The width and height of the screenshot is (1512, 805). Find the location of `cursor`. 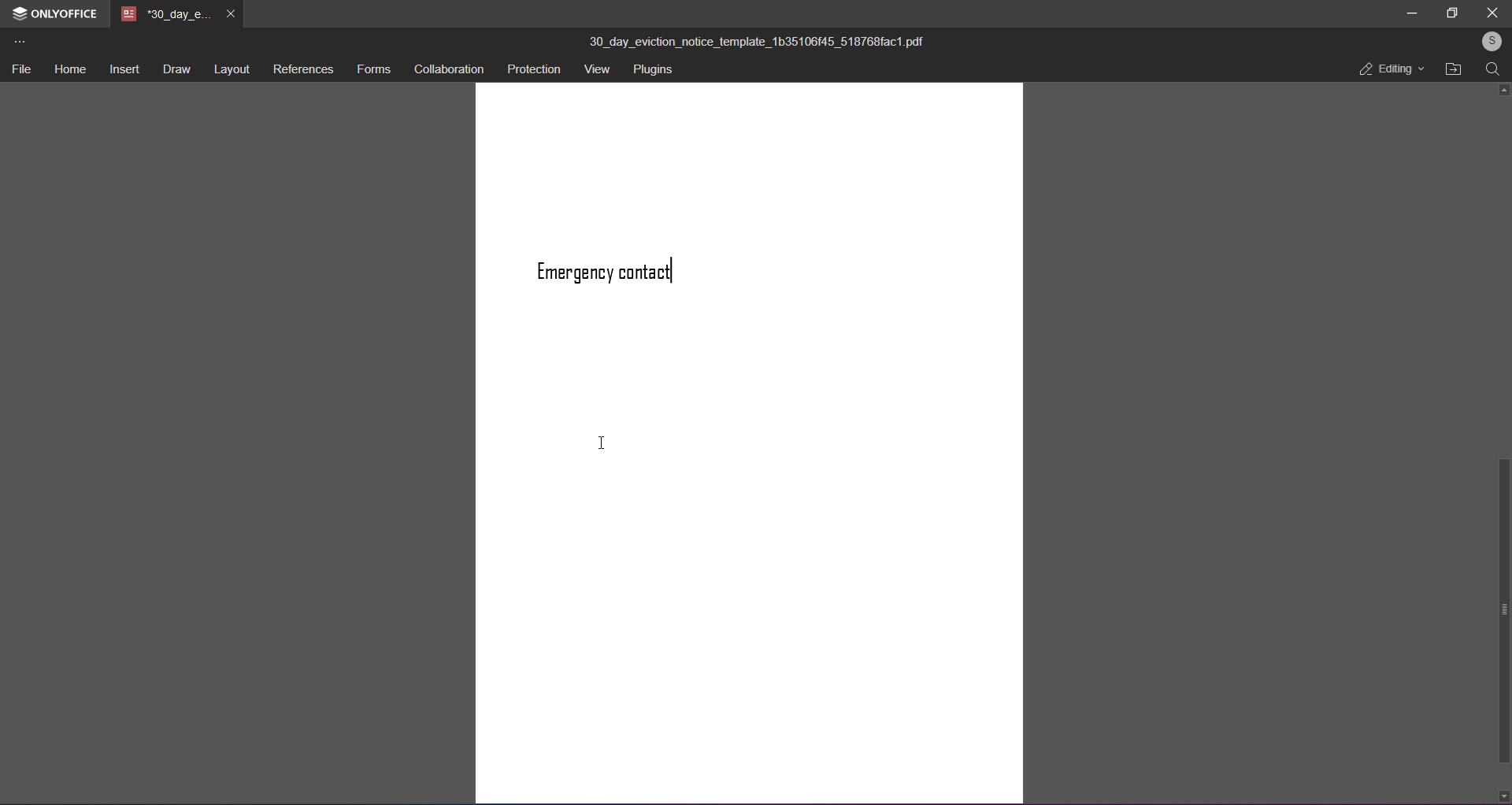

cursor is located at coordinates (601, 443).